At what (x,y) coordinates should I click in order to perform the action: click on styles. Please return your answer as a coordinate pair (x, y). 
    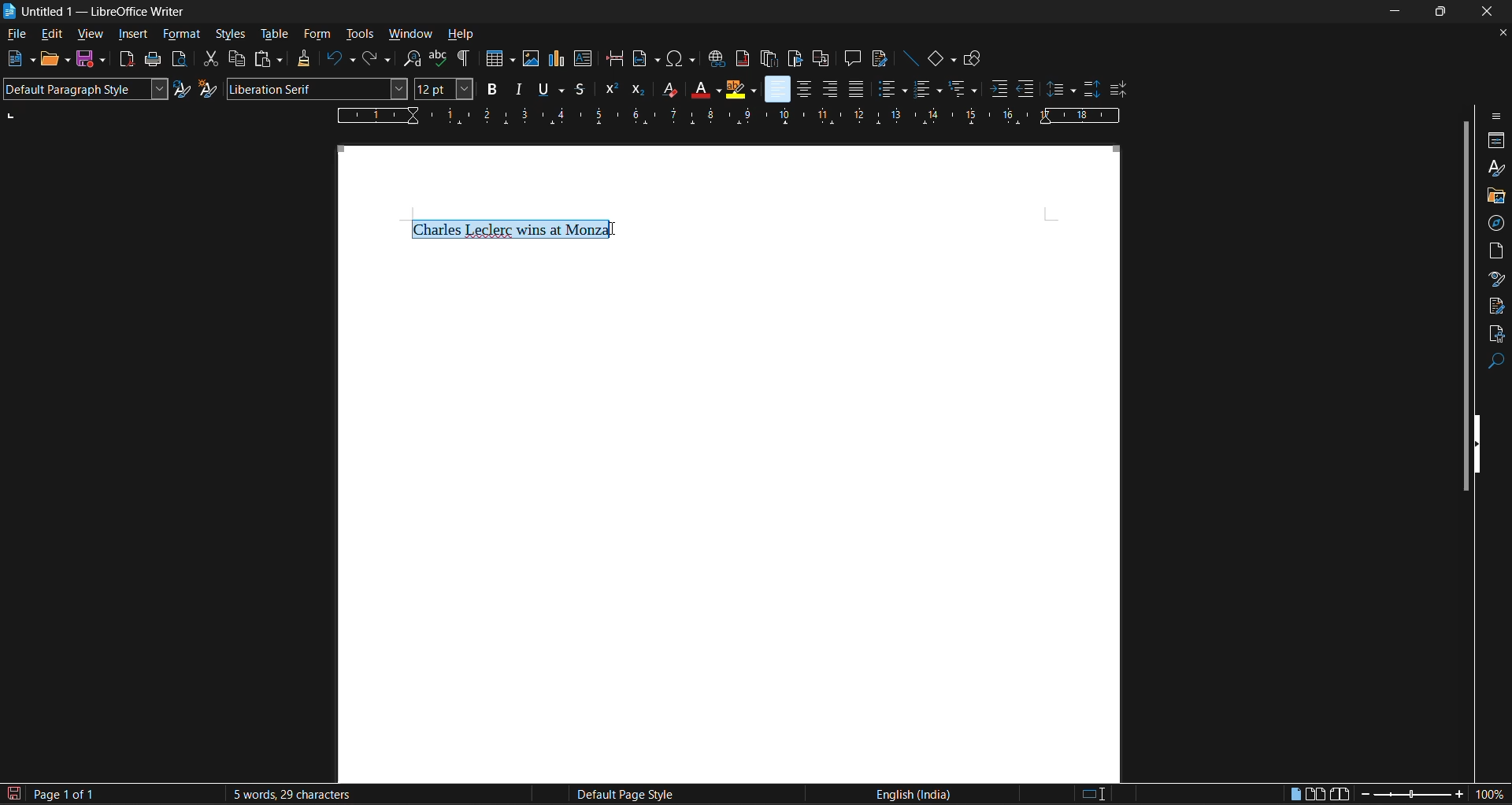
    Looking at the image, I should click on (232, 35).